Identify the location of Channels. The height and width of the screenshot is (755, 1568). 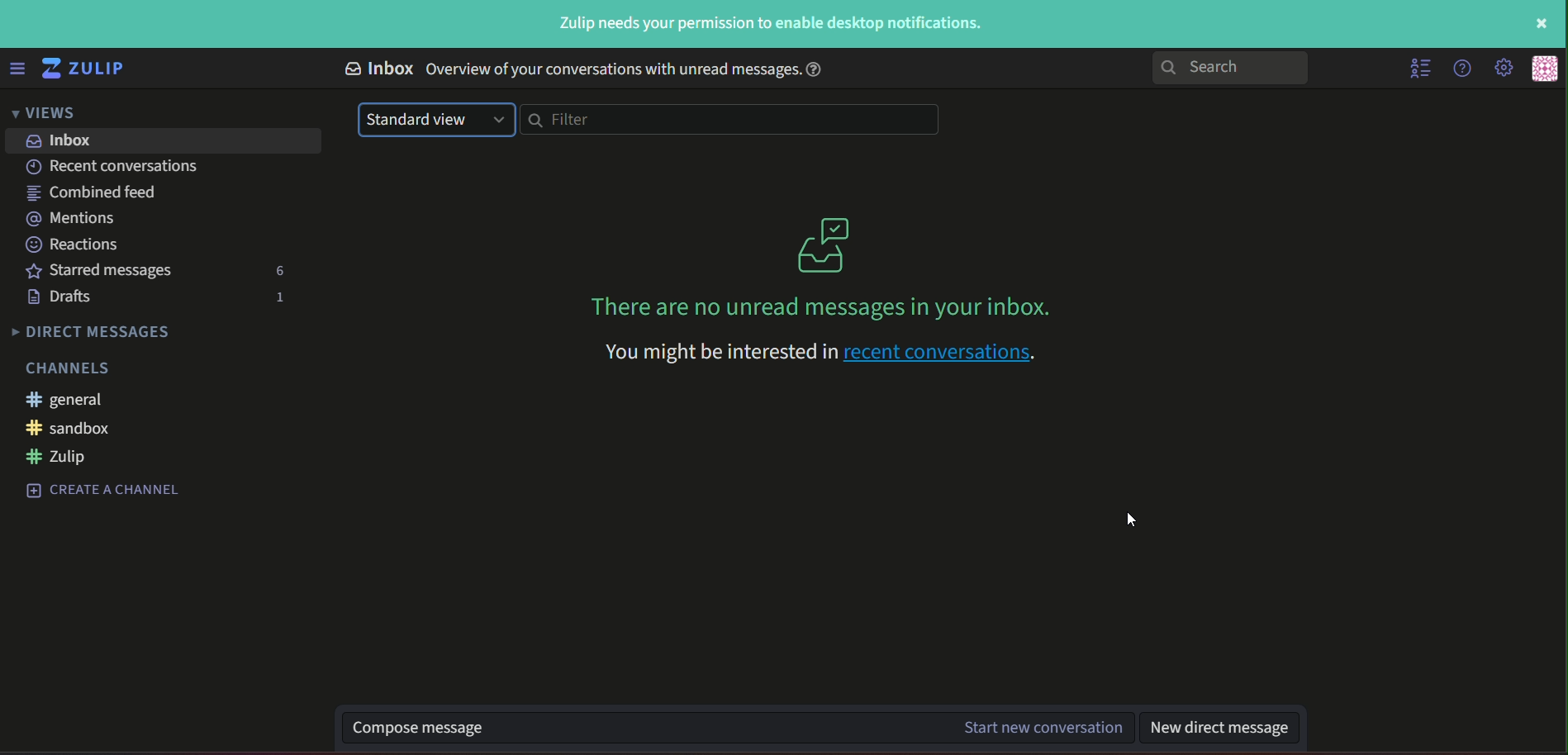
(65, 368).